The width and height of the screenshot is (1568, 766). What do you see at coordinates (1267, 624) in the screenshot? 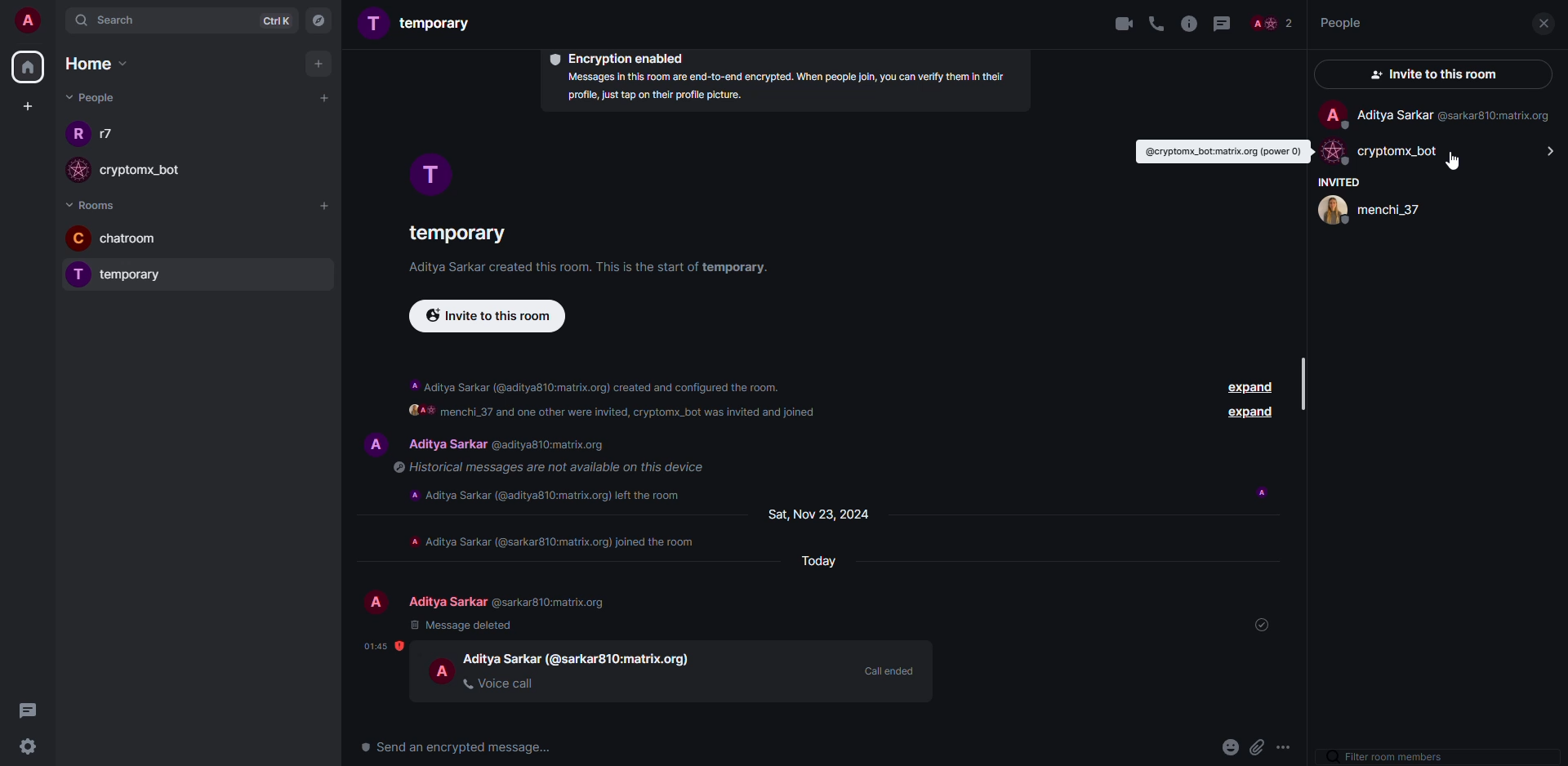
I see `sent` at bounding box center [1267, 624].